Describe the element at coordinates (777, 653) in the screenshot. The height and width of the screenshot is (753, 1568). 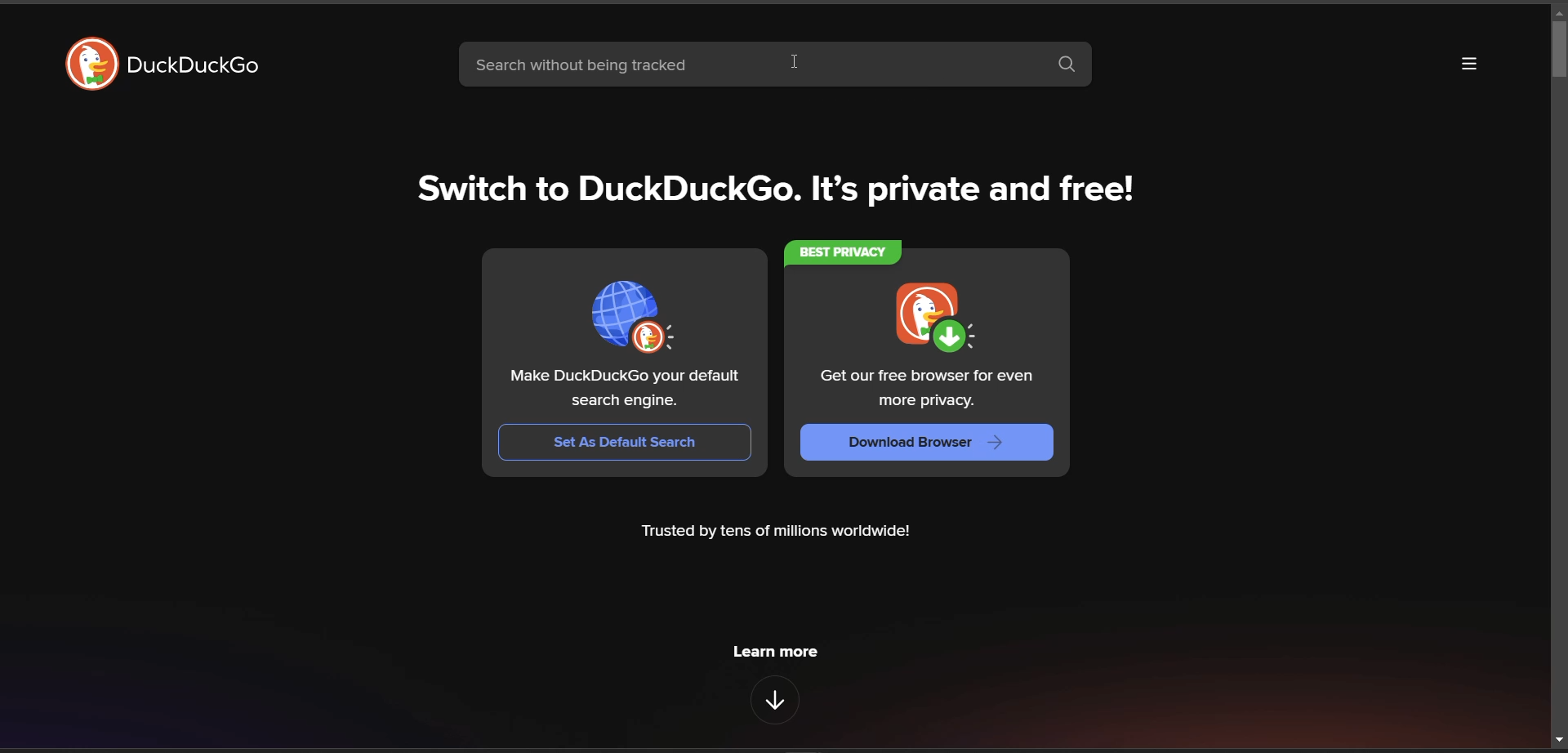
I see `learn more` at that location.